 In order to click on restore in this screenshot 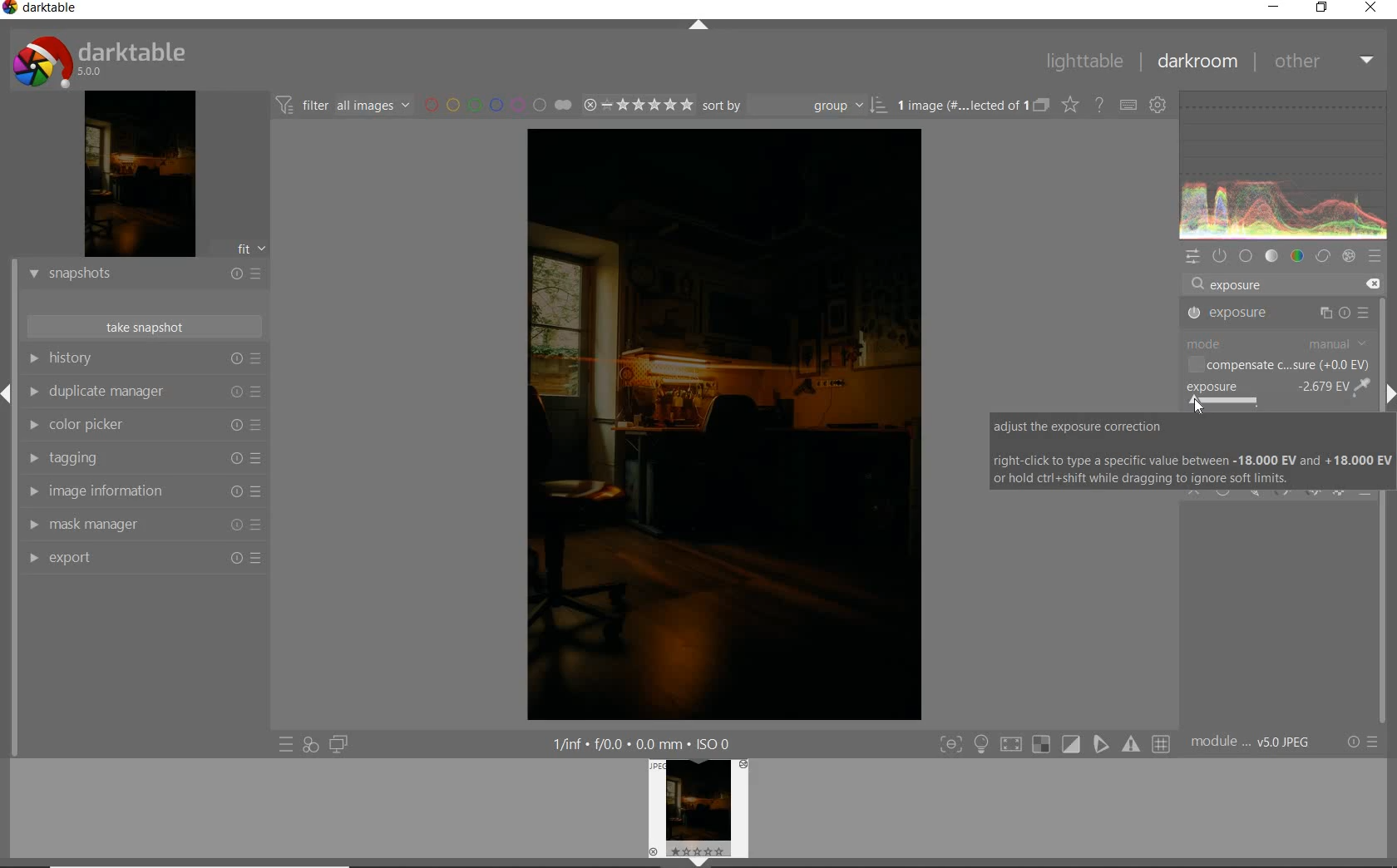, I will do `click(1325, 9)`.